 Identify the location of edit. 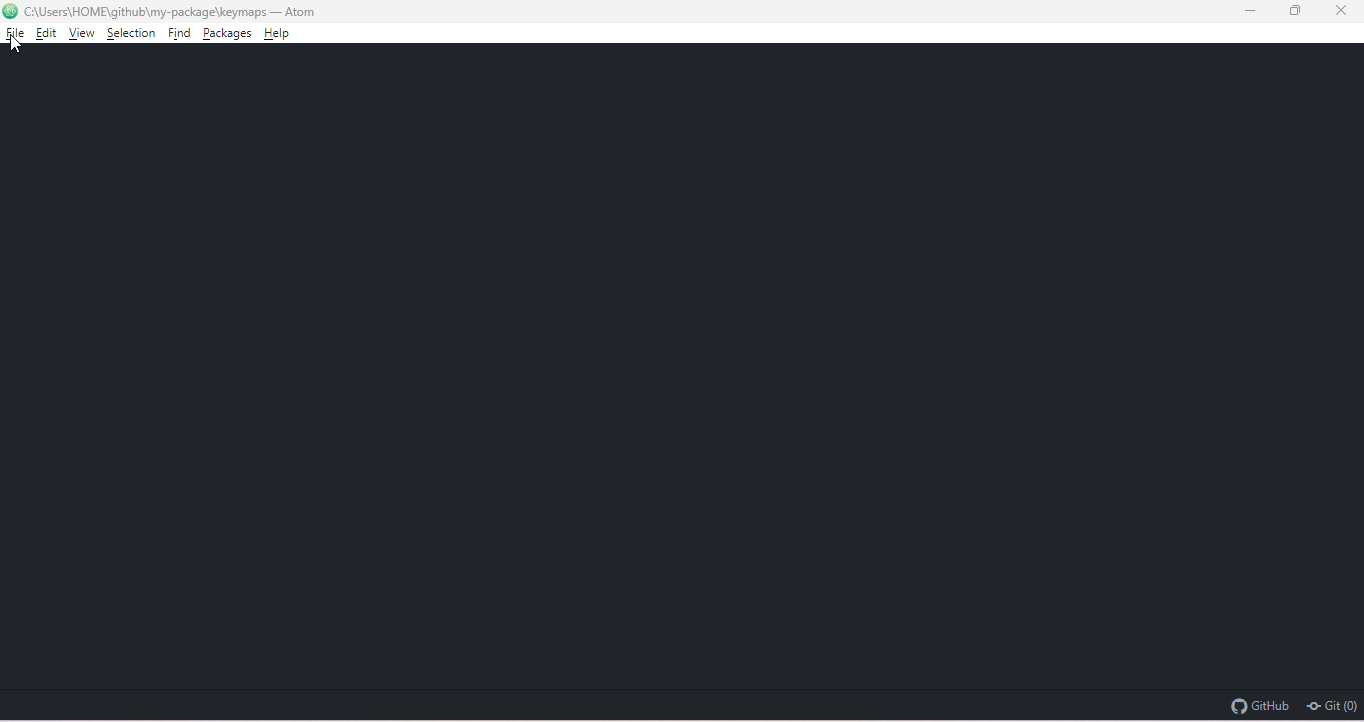
(49, 33).